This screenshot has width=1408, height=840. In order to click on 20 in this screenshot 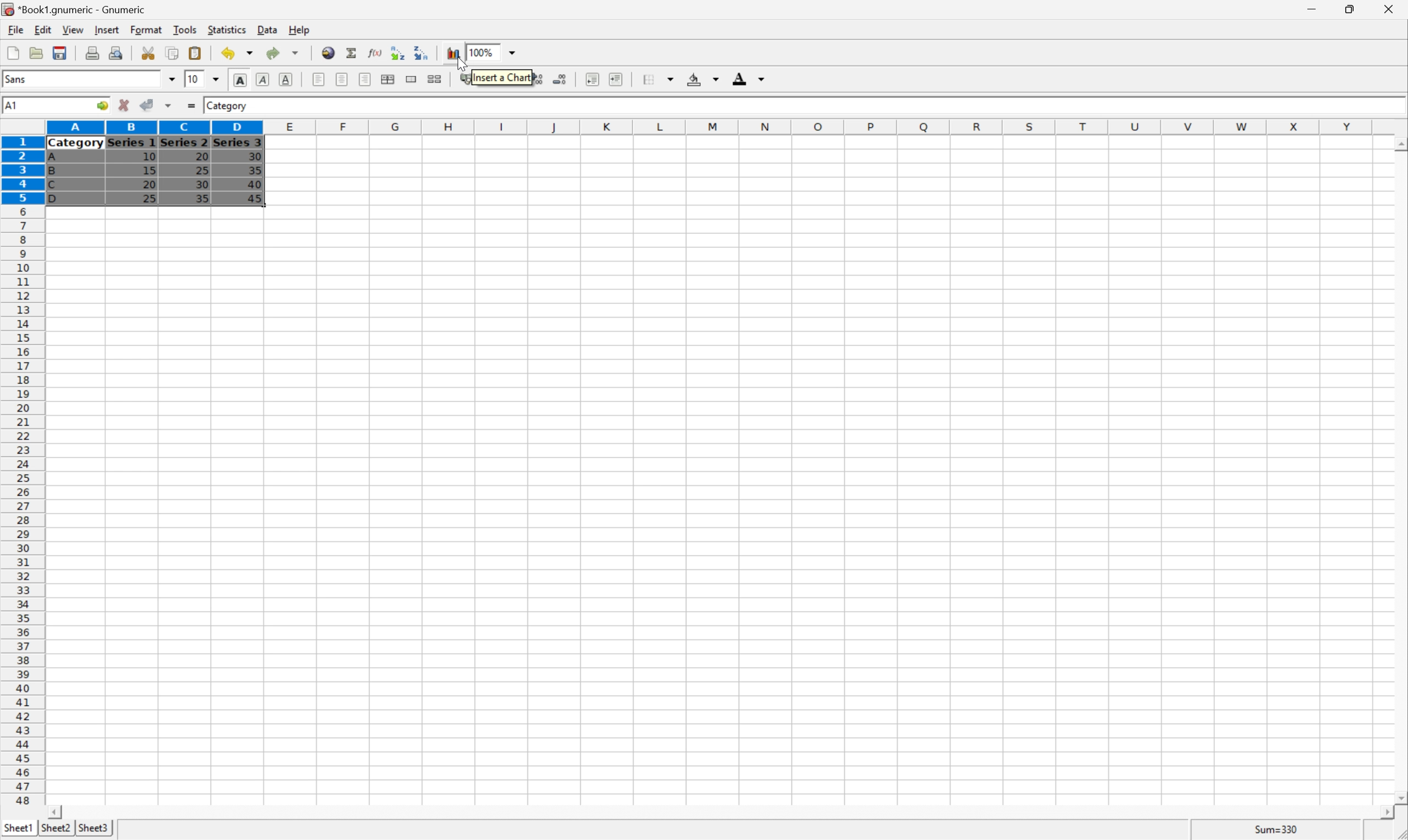, I will do `click(149, 185)`.